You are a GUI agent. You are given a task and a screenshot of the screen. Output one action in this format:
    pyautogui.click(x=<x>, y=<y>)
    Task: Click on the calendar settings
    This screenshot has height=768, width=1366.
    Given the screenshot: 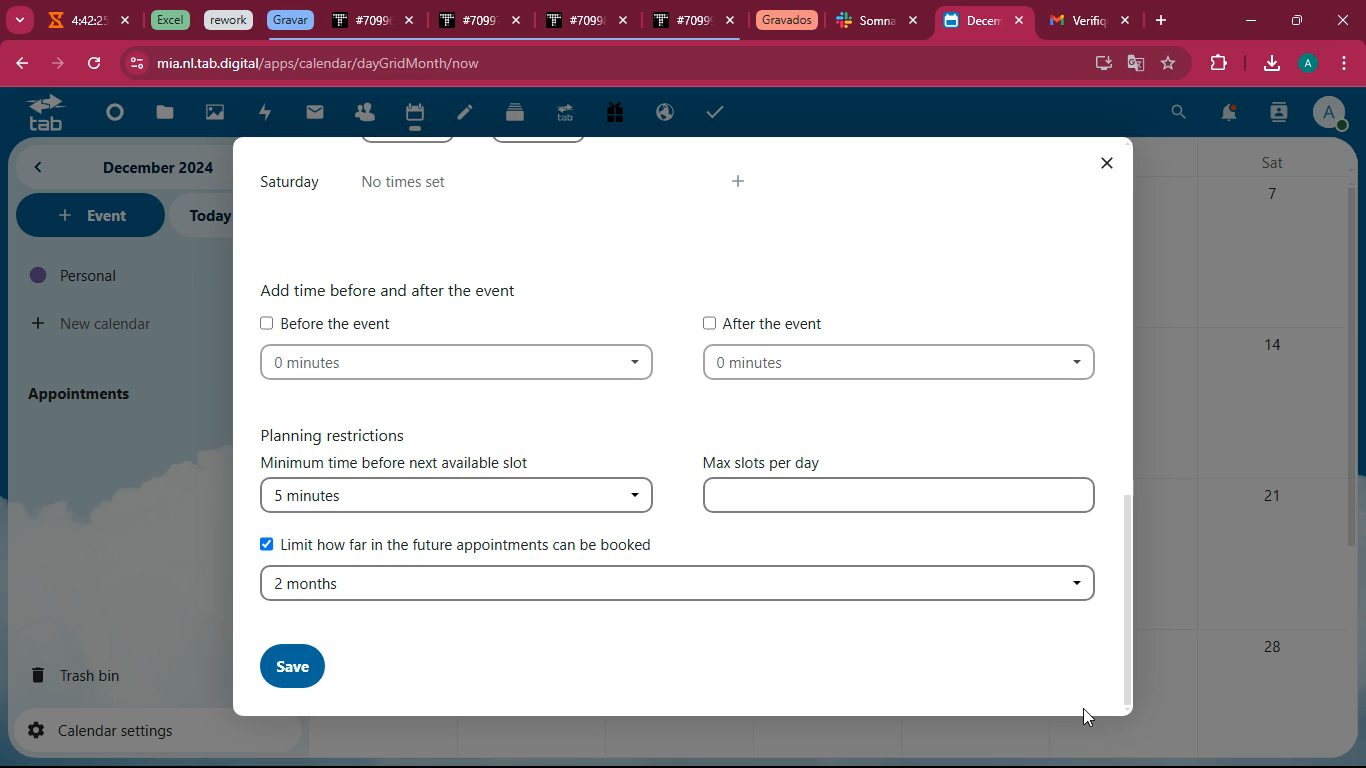 What is the action you would take?
    pyautogui.click(x=110, y=729)
    